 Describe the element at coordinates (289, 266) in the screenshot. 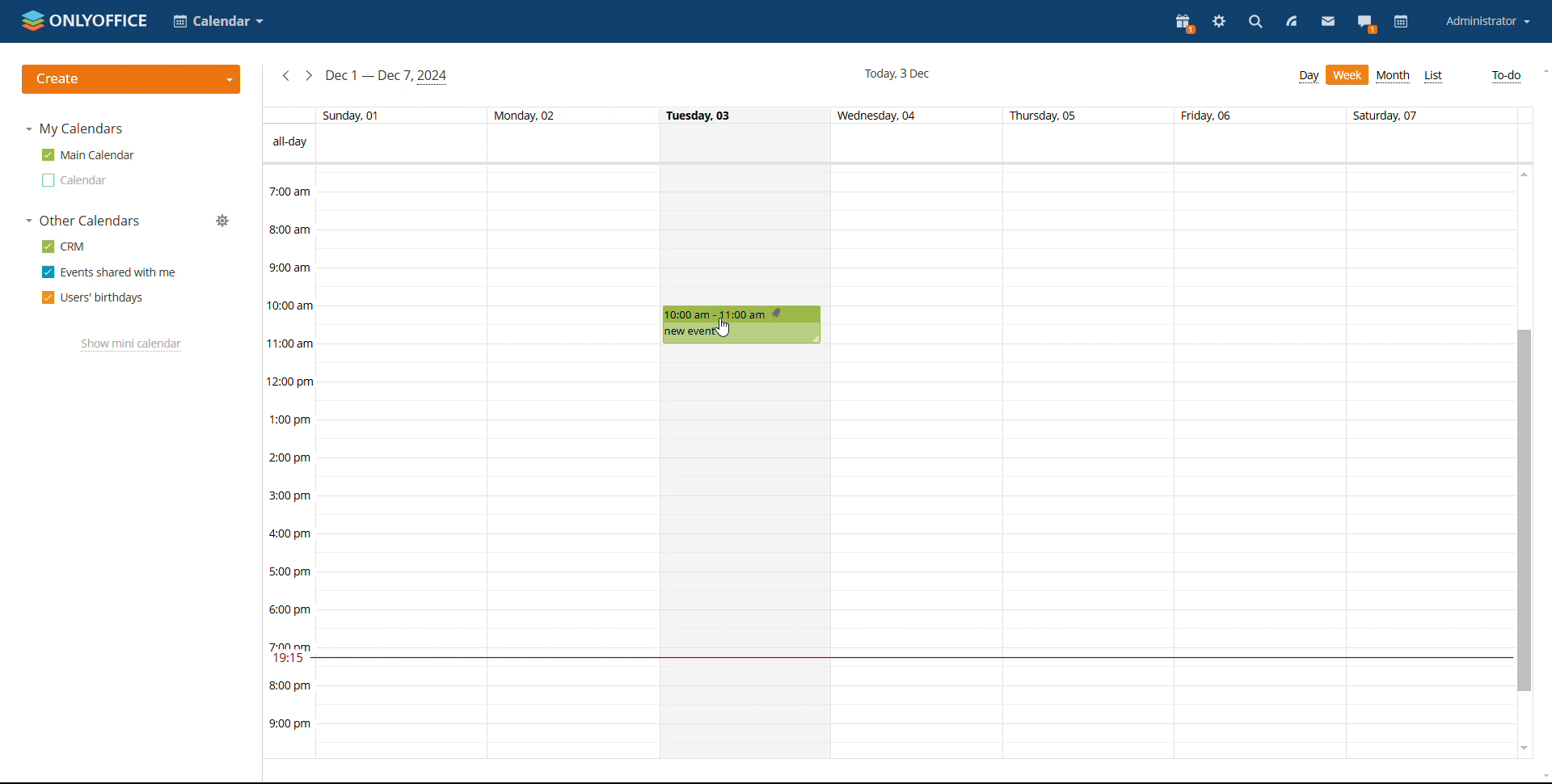

I see `9:00 am` at that location.